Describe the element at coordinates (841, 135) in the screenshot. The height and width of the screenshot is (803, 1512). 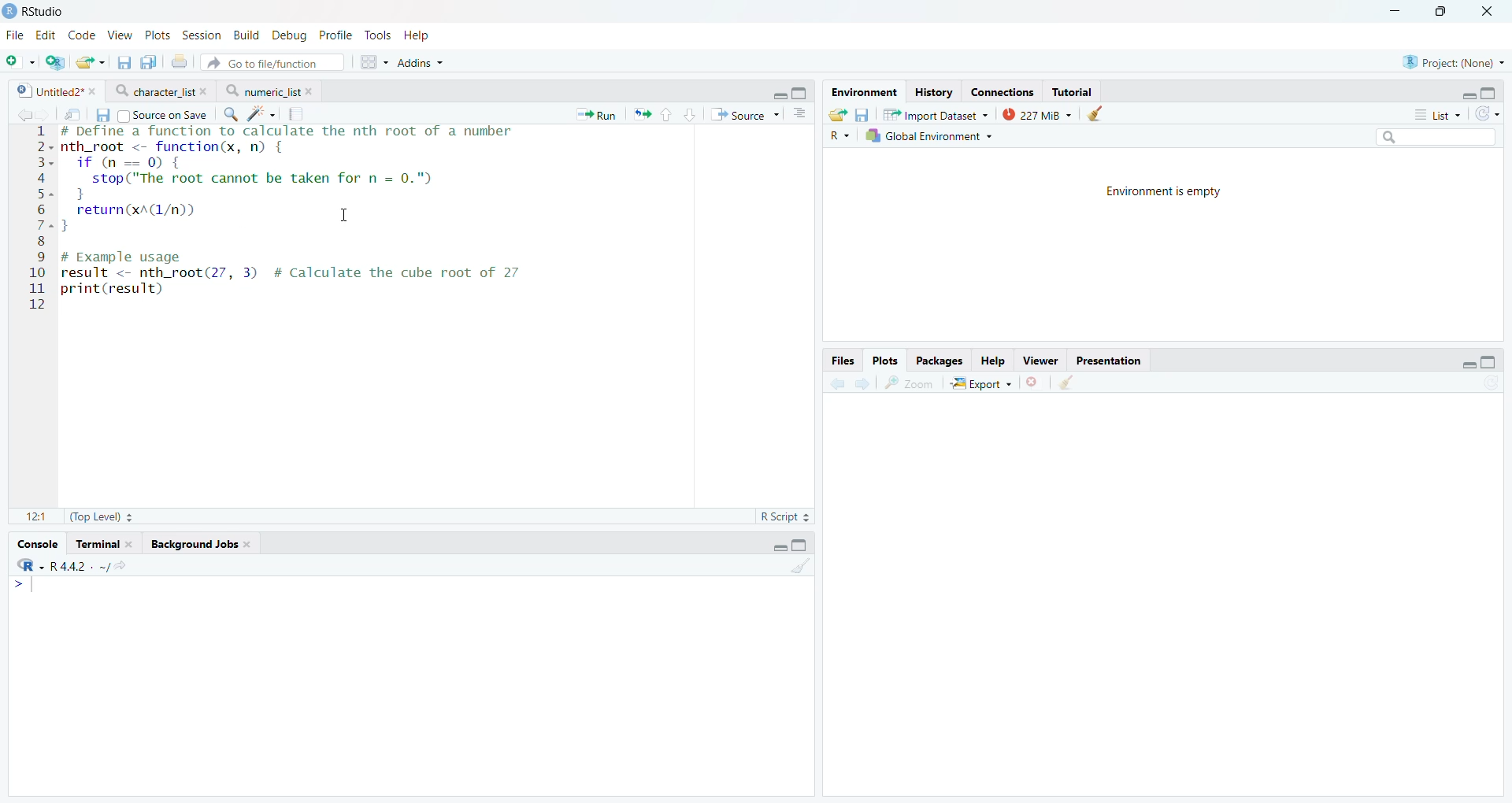
I see `R` at that location.